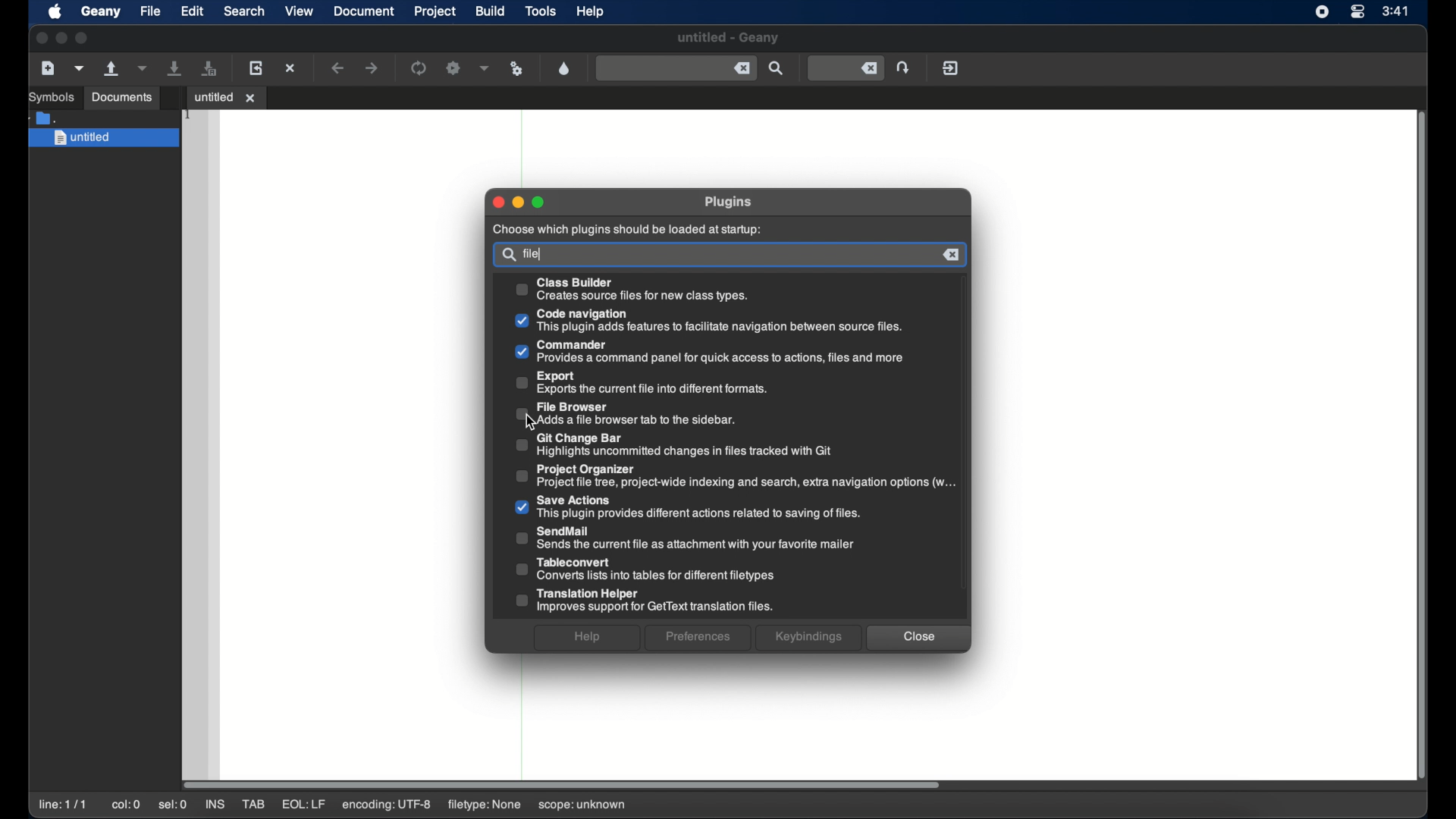 Image resolution: width=1456 pixels, height=819 pixels. What do you see at coordinates (629, 231) in the screenshot?
I see `` at bounding box center [629, 231].